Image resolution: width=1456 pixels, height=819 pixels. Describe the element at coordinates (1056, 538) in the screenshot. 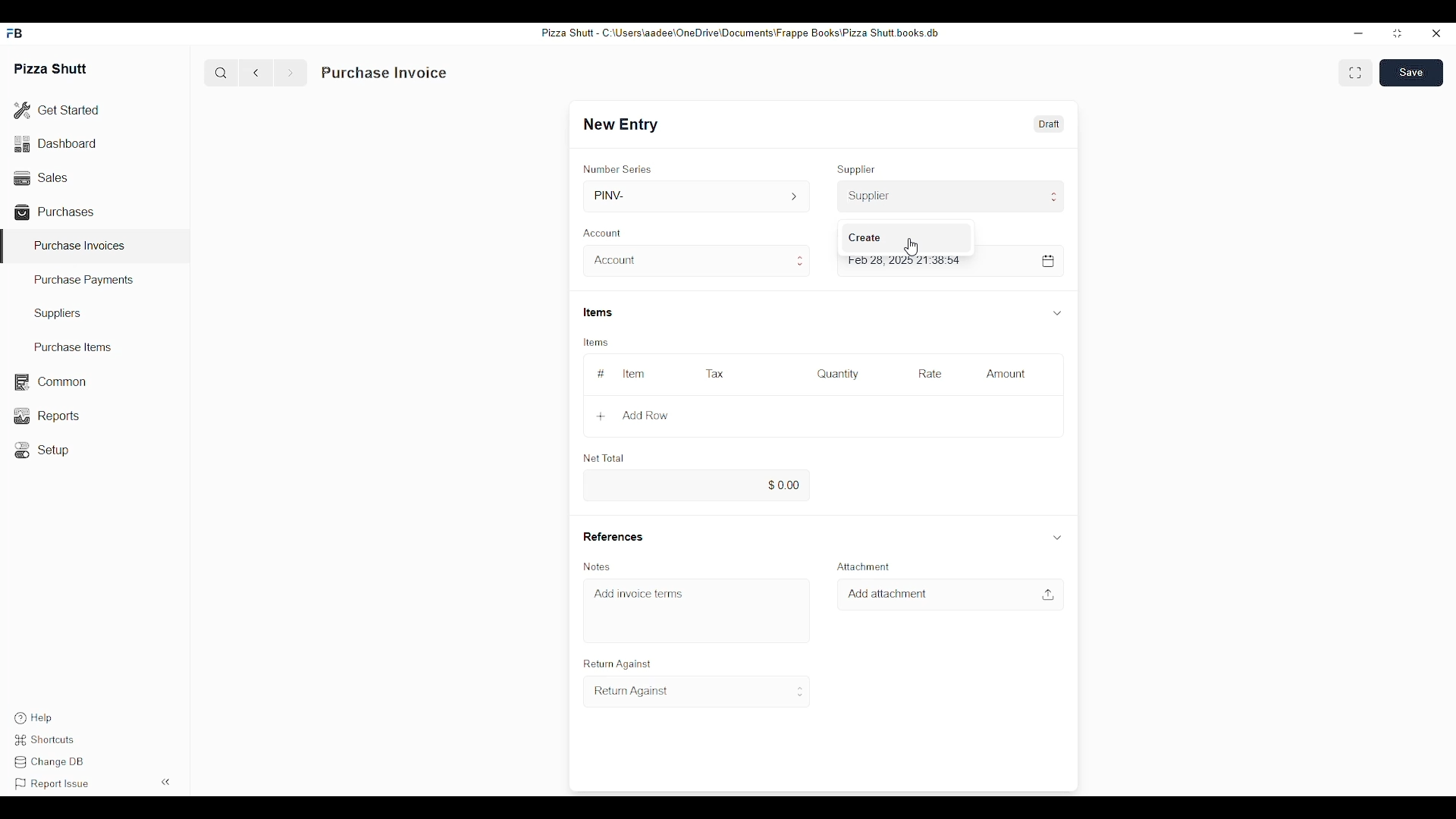

I see `down` at that location.